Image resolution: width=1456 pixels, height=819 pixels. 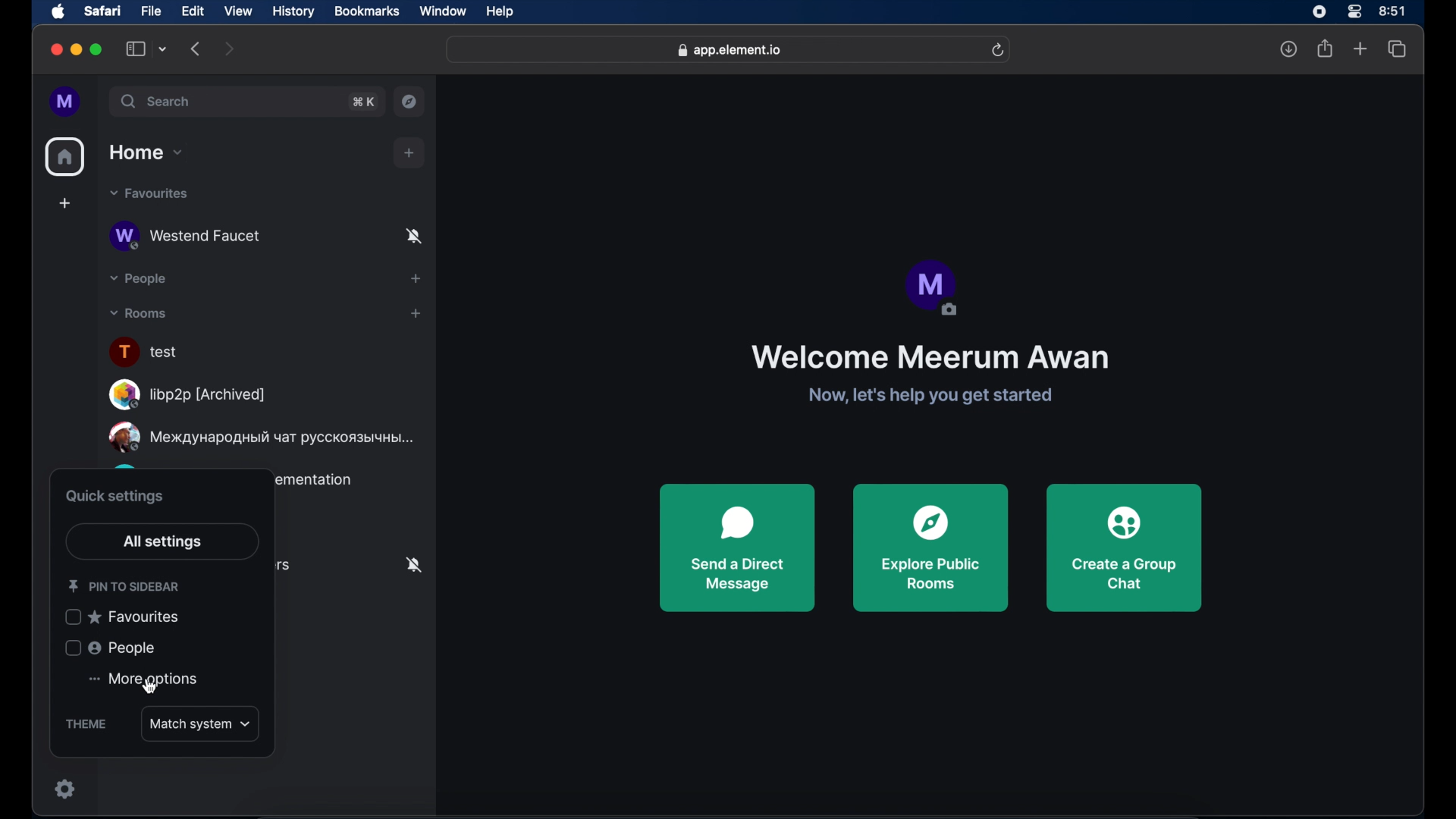 What do you see at coordinates (928, 357) in the screenshot?
I see `welcome meerum awan` at bounding box center [928, 357].